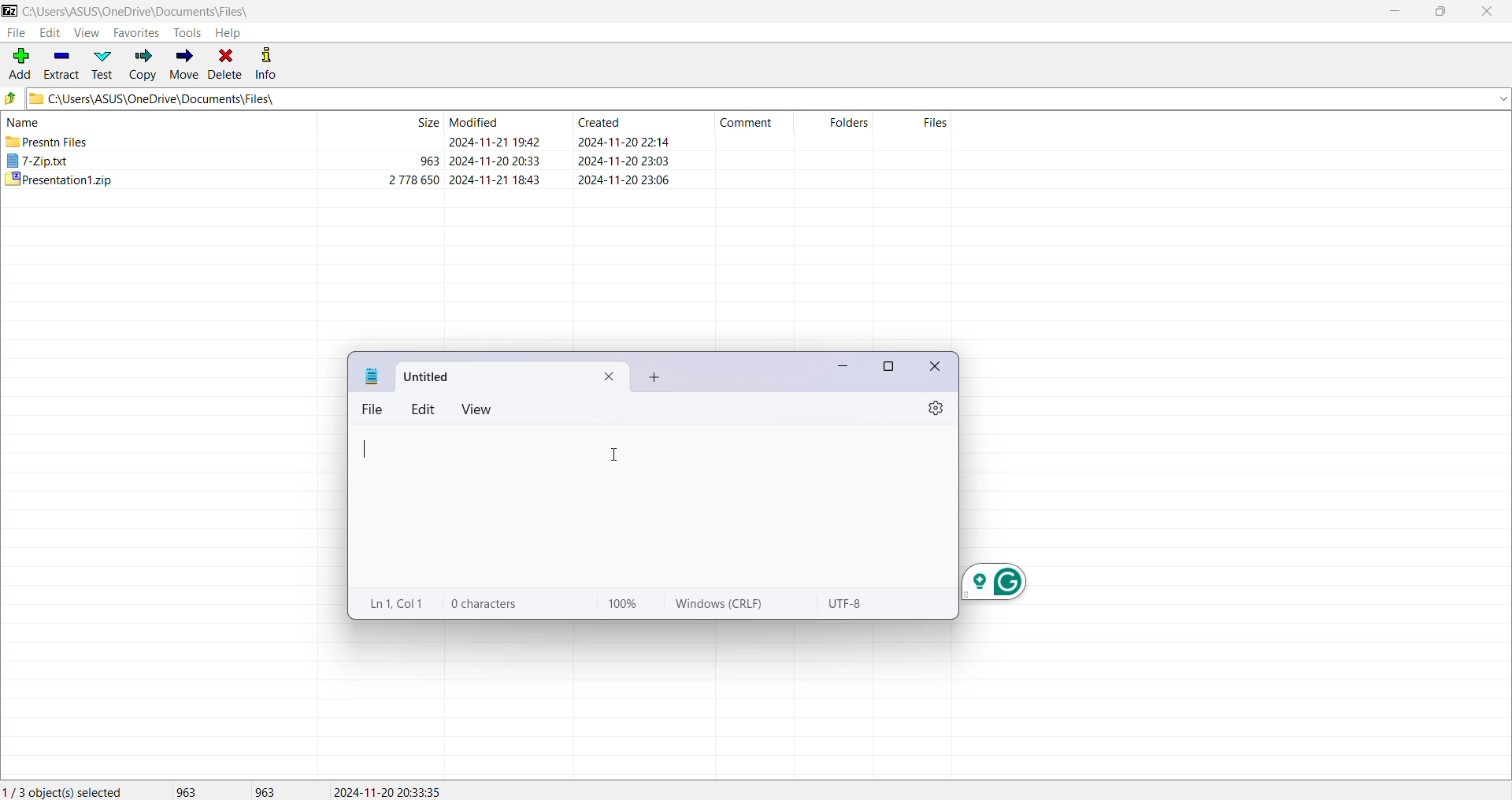  Describe the element at coordinates (17, 34) in the screenshot. I see `File` at that location.